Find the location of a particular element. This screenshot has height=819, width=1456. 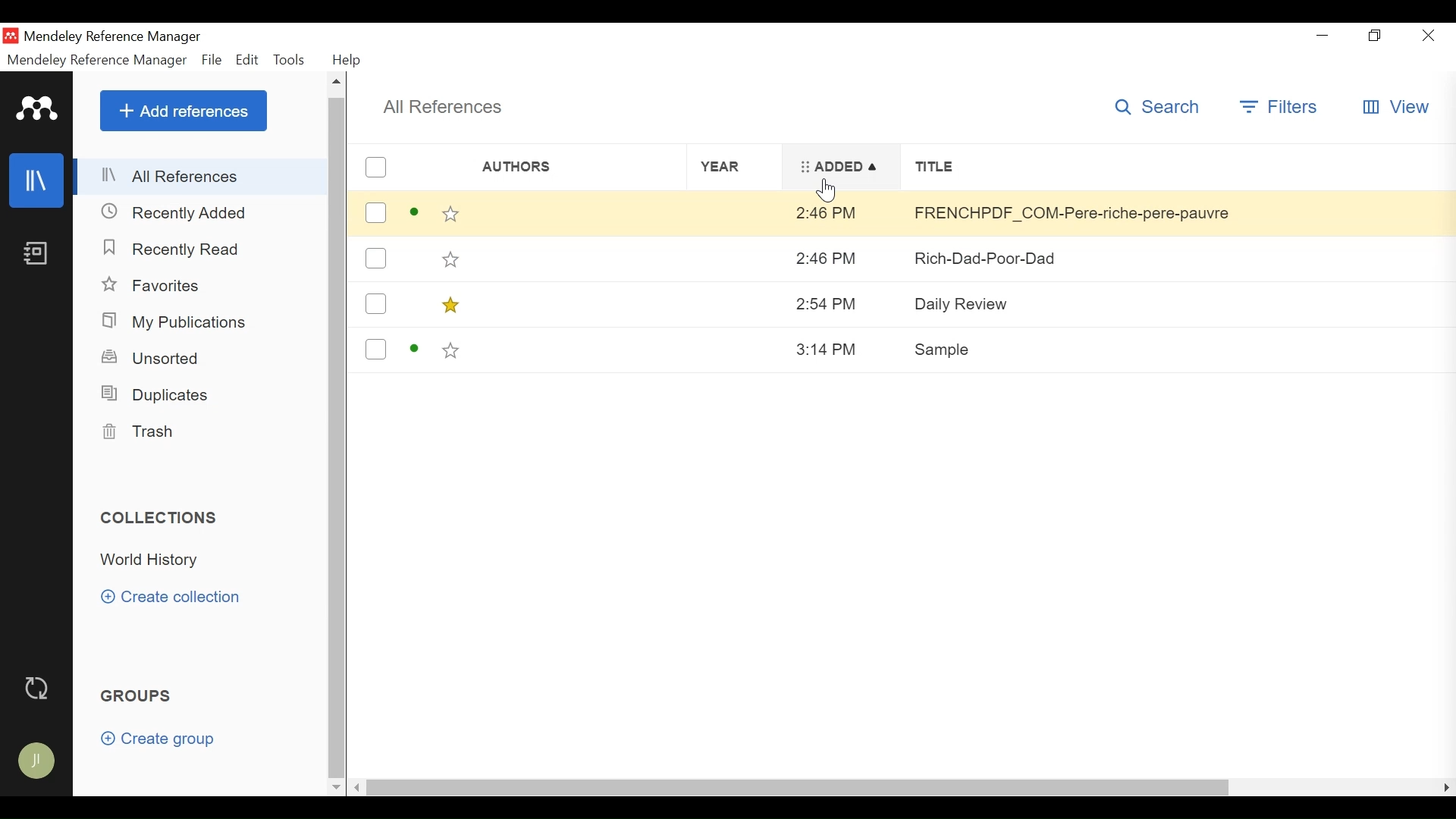

2:54 PM is located at coordinates (841, 213).